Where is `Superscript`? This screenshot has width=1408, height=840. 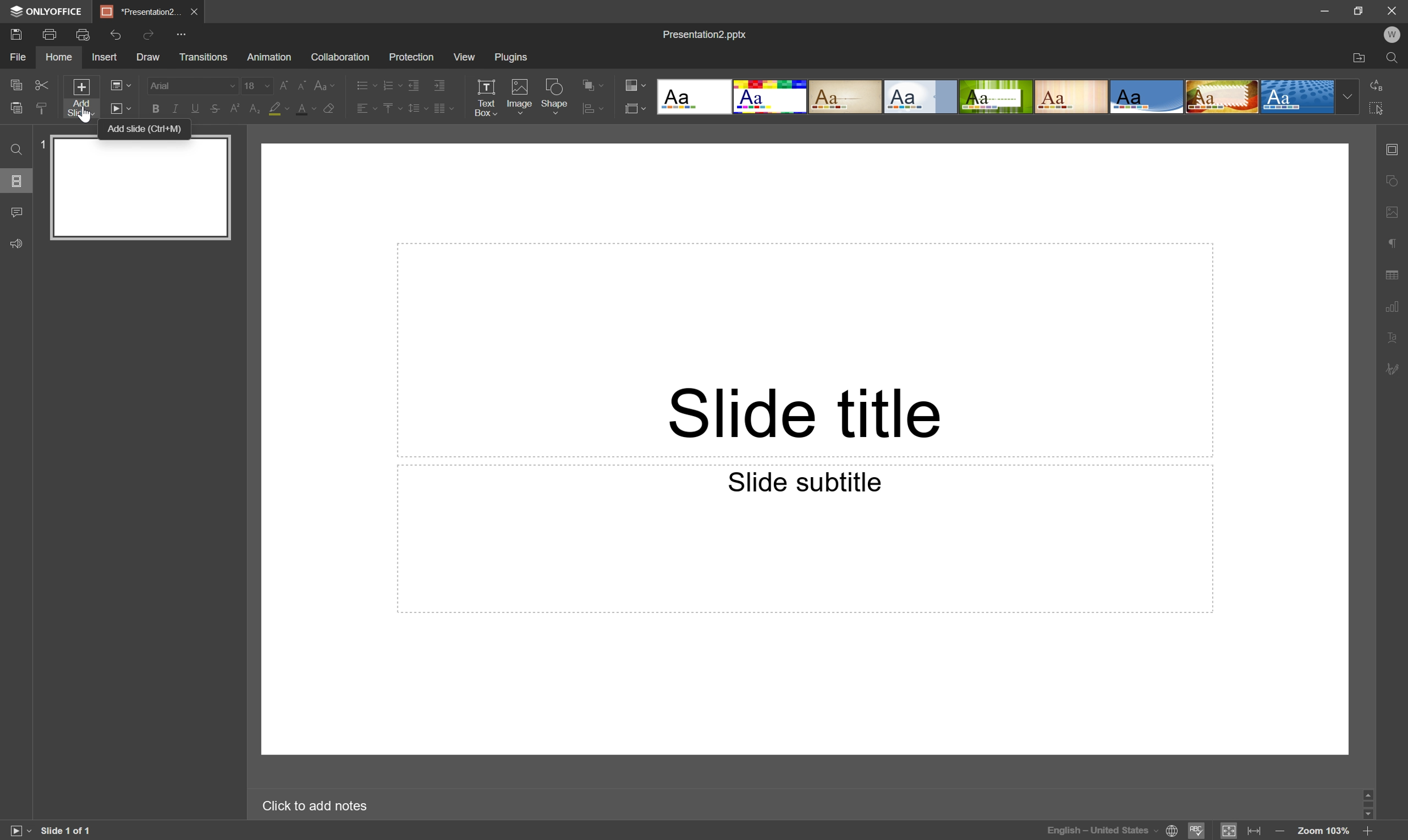 Superscript is located at coordinates (234, 109).